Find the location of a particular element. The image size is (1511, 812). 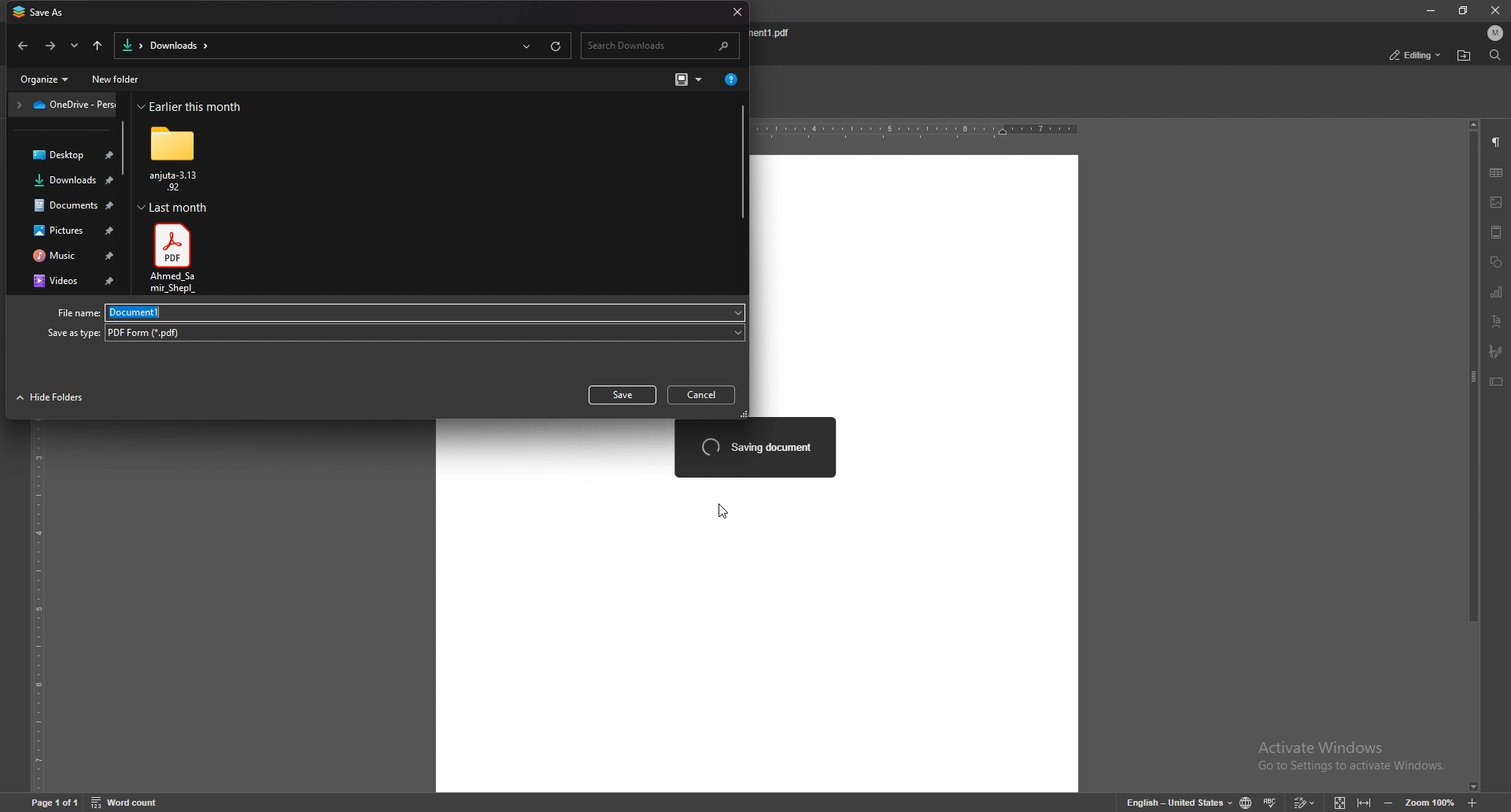

header and footer is located at coordinates (1496, 232).